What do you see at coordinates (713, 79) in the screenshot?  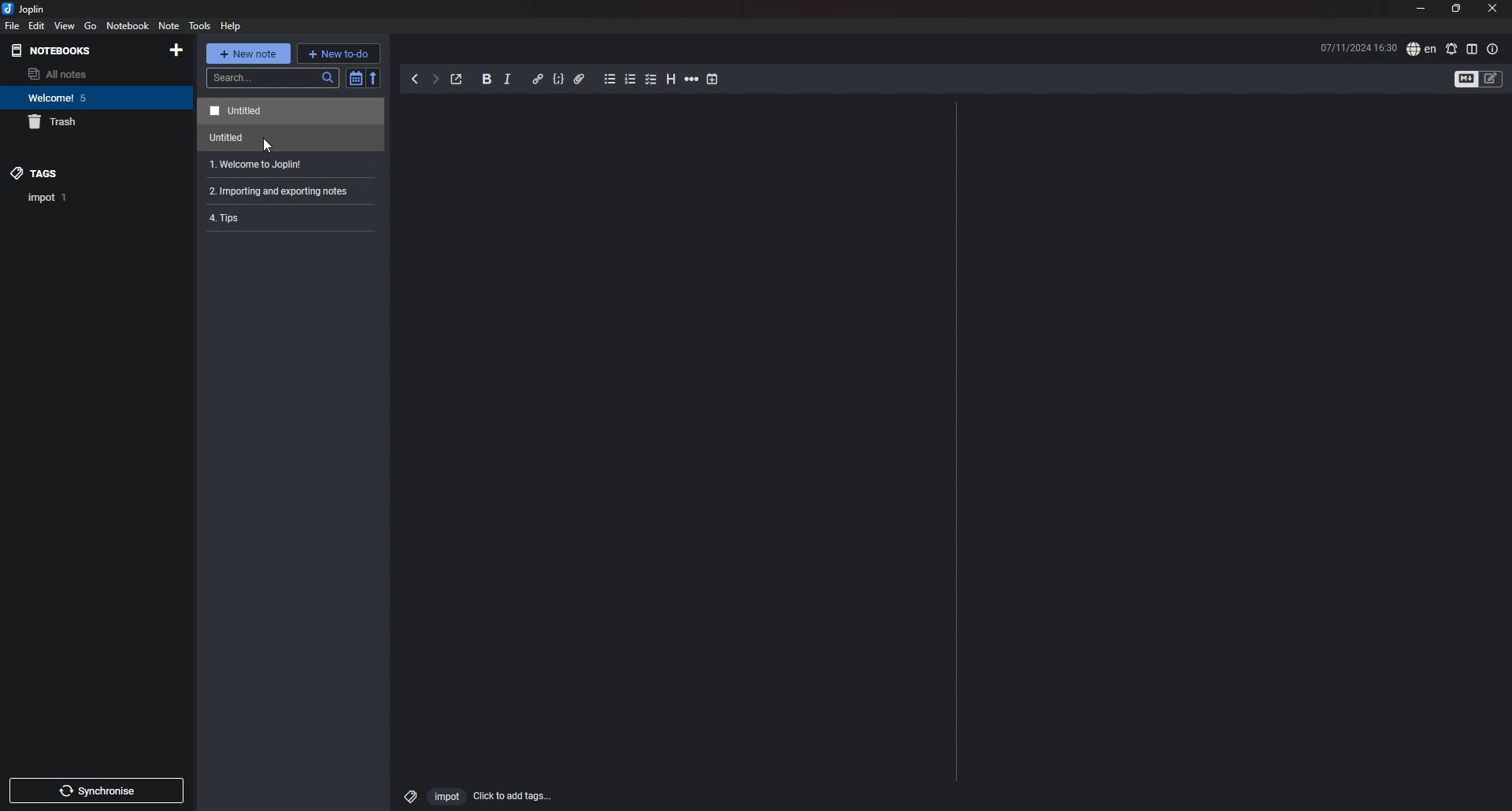 I see `add time` at bounding box center [713, 79].